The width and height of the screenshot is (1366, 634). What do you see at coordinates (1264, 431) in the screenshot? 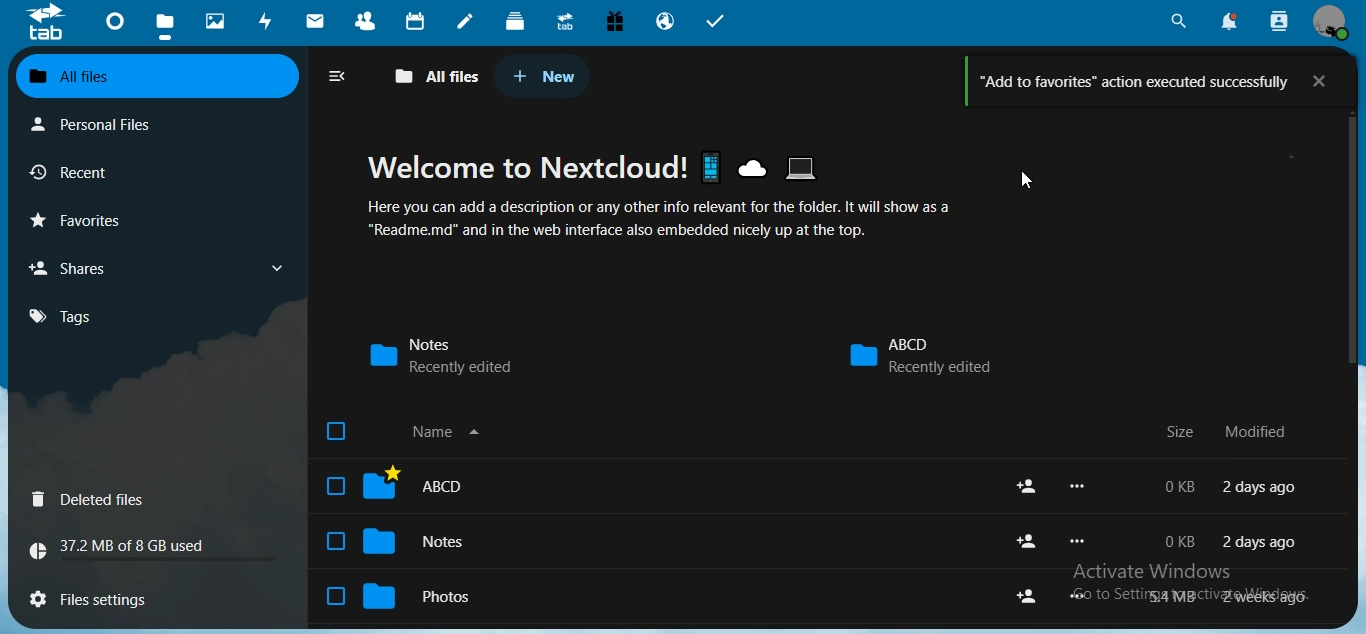
I see `modified` at bounding box center [1264, 431].